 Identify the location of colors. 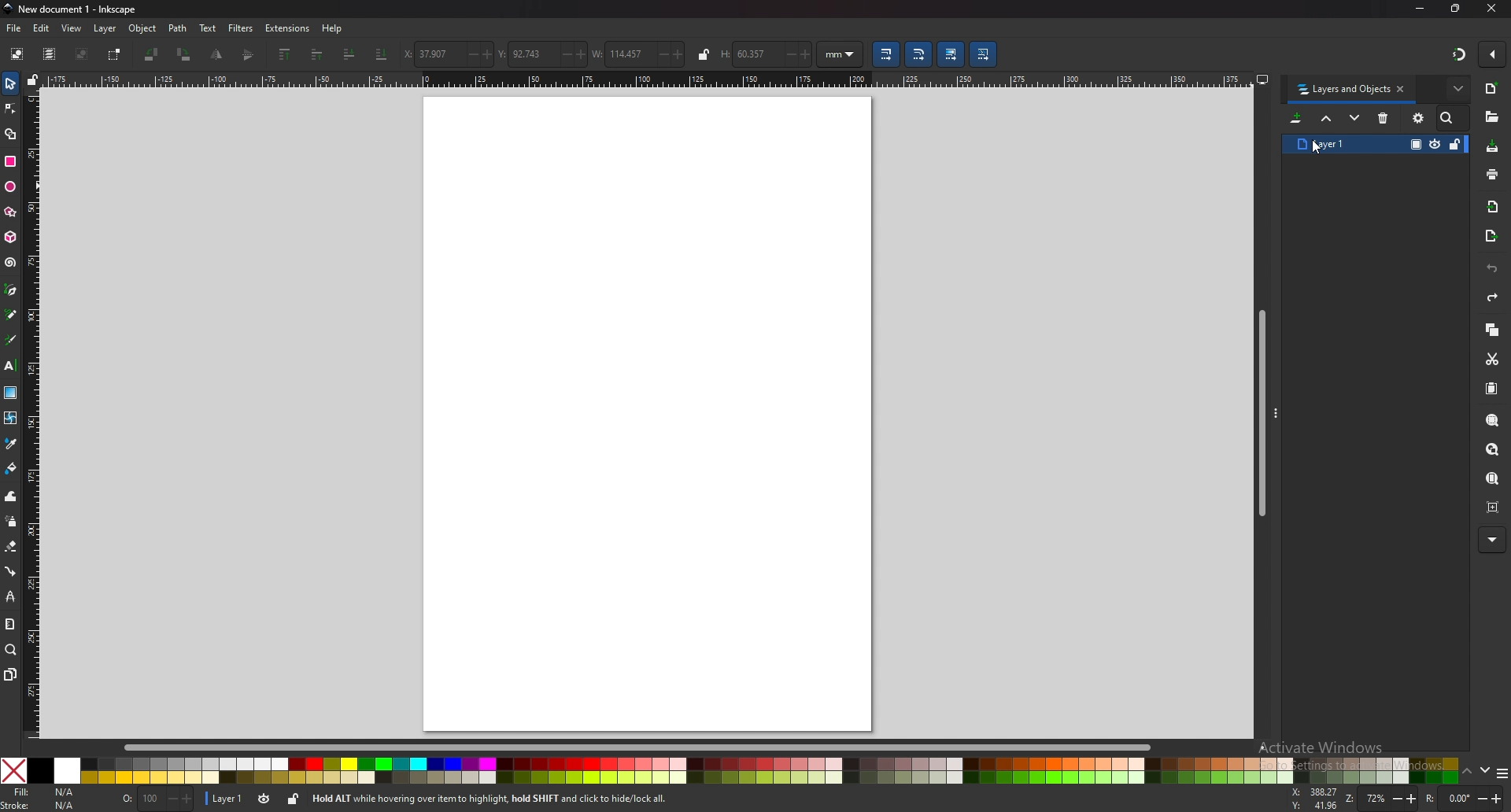
(770, 771).